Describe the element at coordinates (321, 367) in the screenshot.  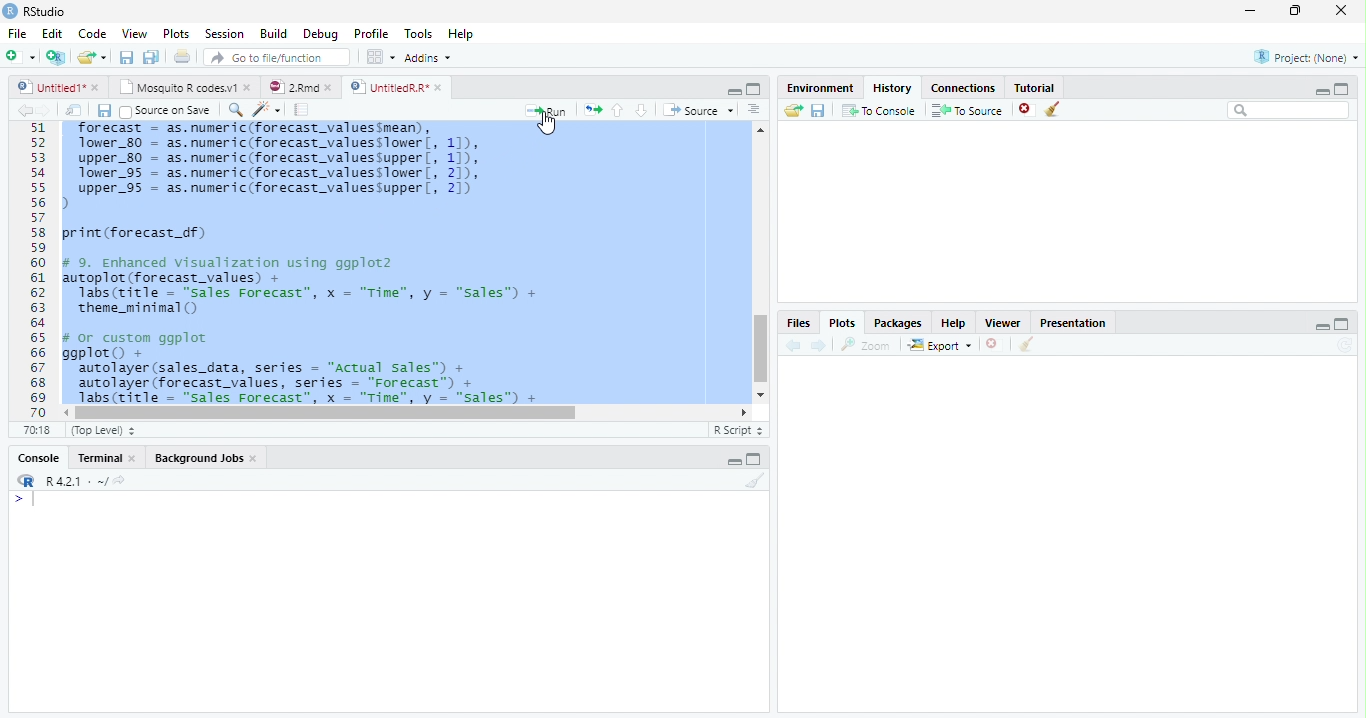
I see `# Or custom ggplot

ggplot() +
autolayer (sales_data, series = "Actual sales”) +
autolayer (forecast_values, series = “Forecast”) +
labs(title = "sales Forecast”. x = "Time". v = "sales") +` at that location.